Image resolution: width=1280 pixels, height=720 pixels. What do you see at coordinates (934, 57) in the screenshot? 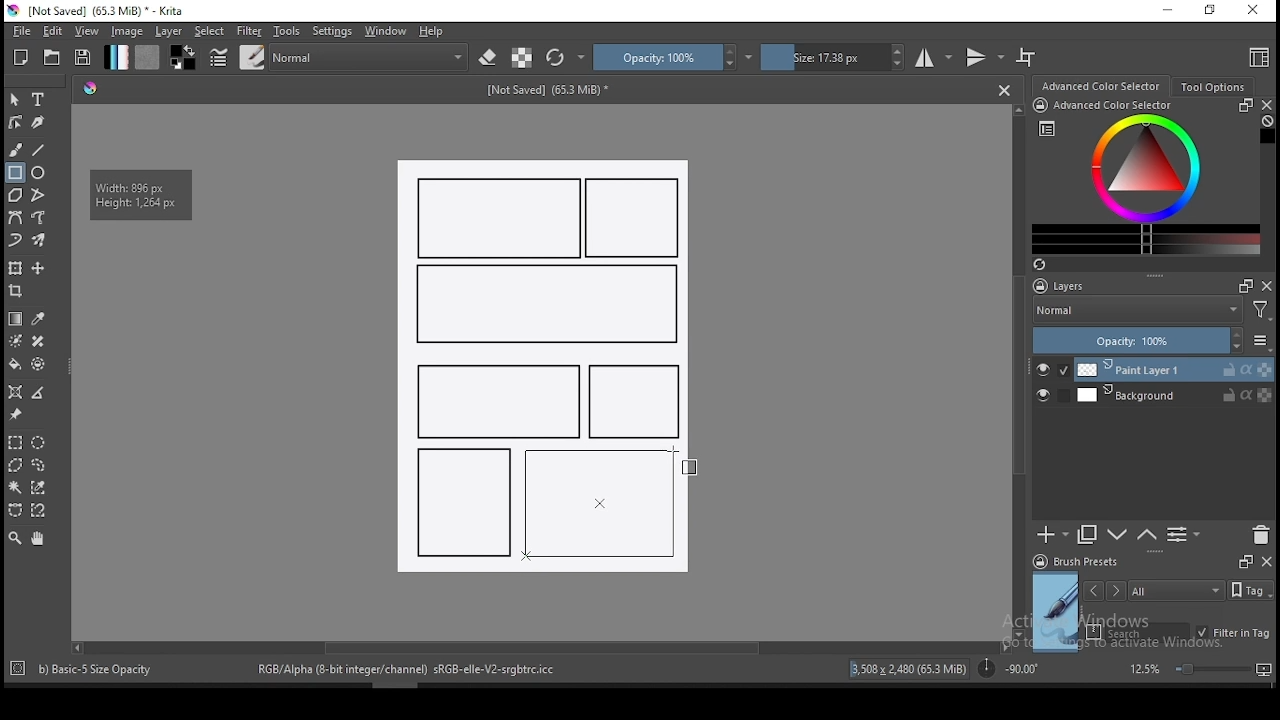
I see `horizontal mirror tool` at bounding box center [934, 57].